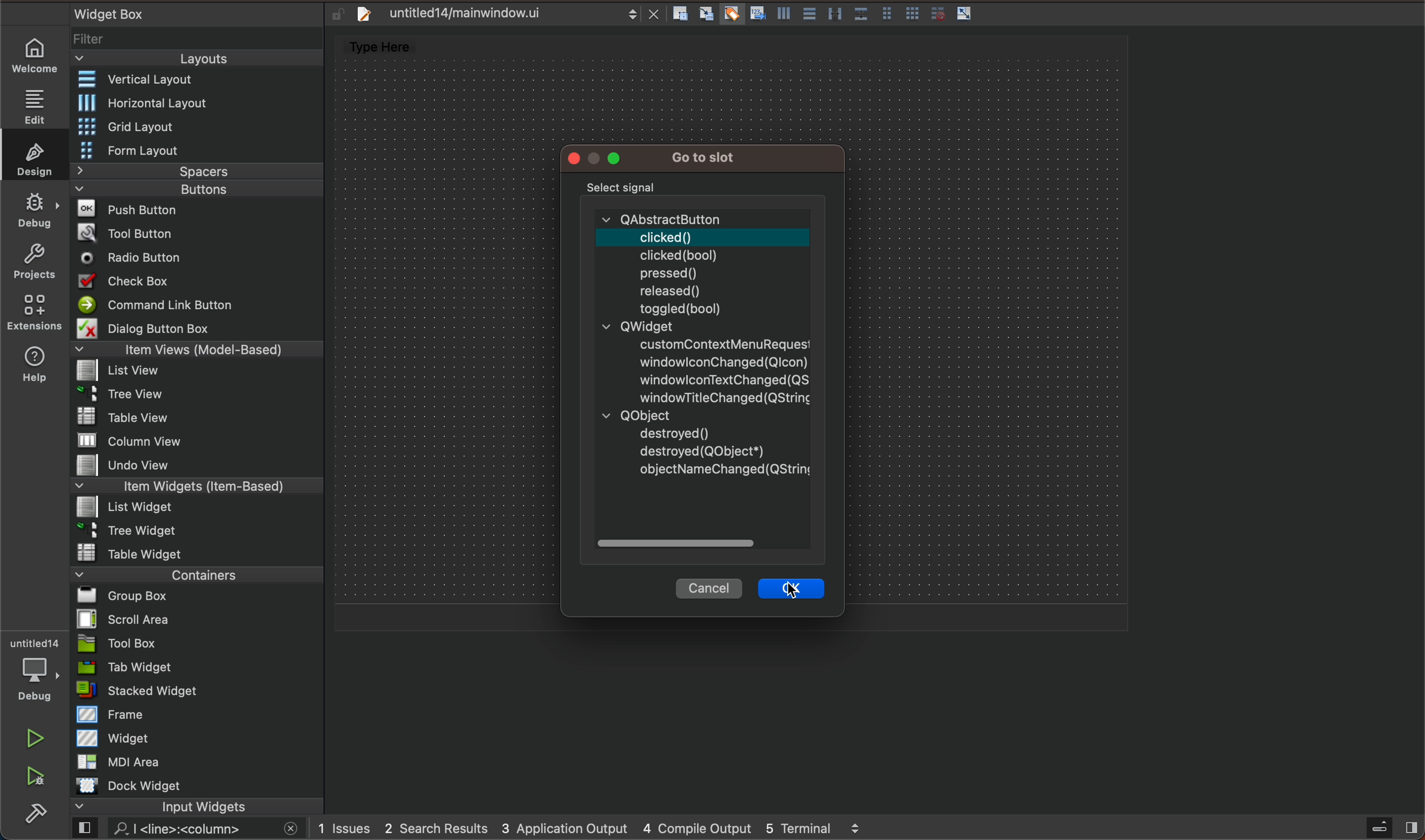 The image size is (1425, 840). Describe the element at coordinates (194, 577) in the screenshot. I see `containers` at that location.